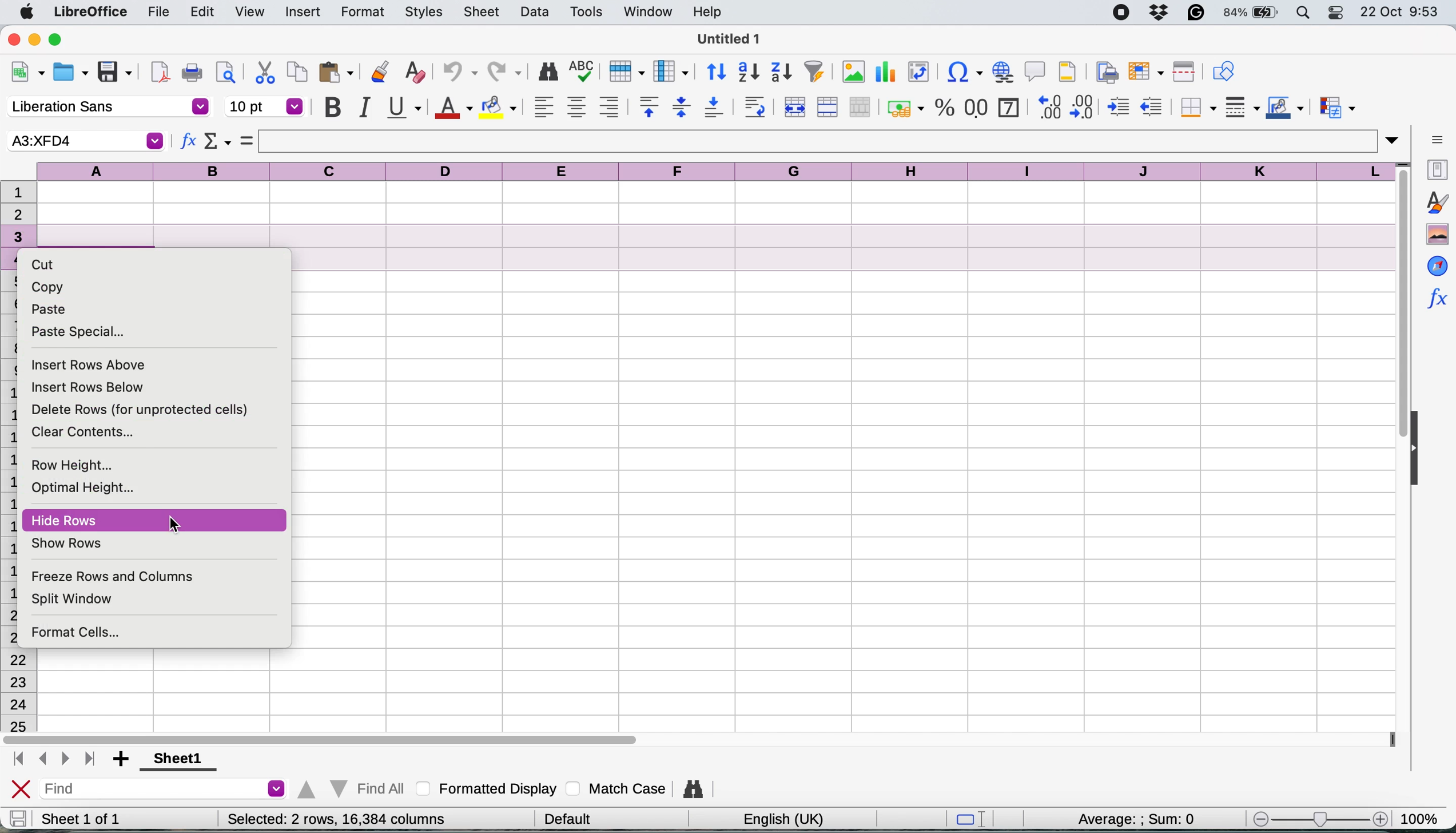 The width and height of the screenshot is (1456, 833). What do you see at coordinates (616, 788) in the screenshot?
I see `match case` at bounding box center [616, 788].